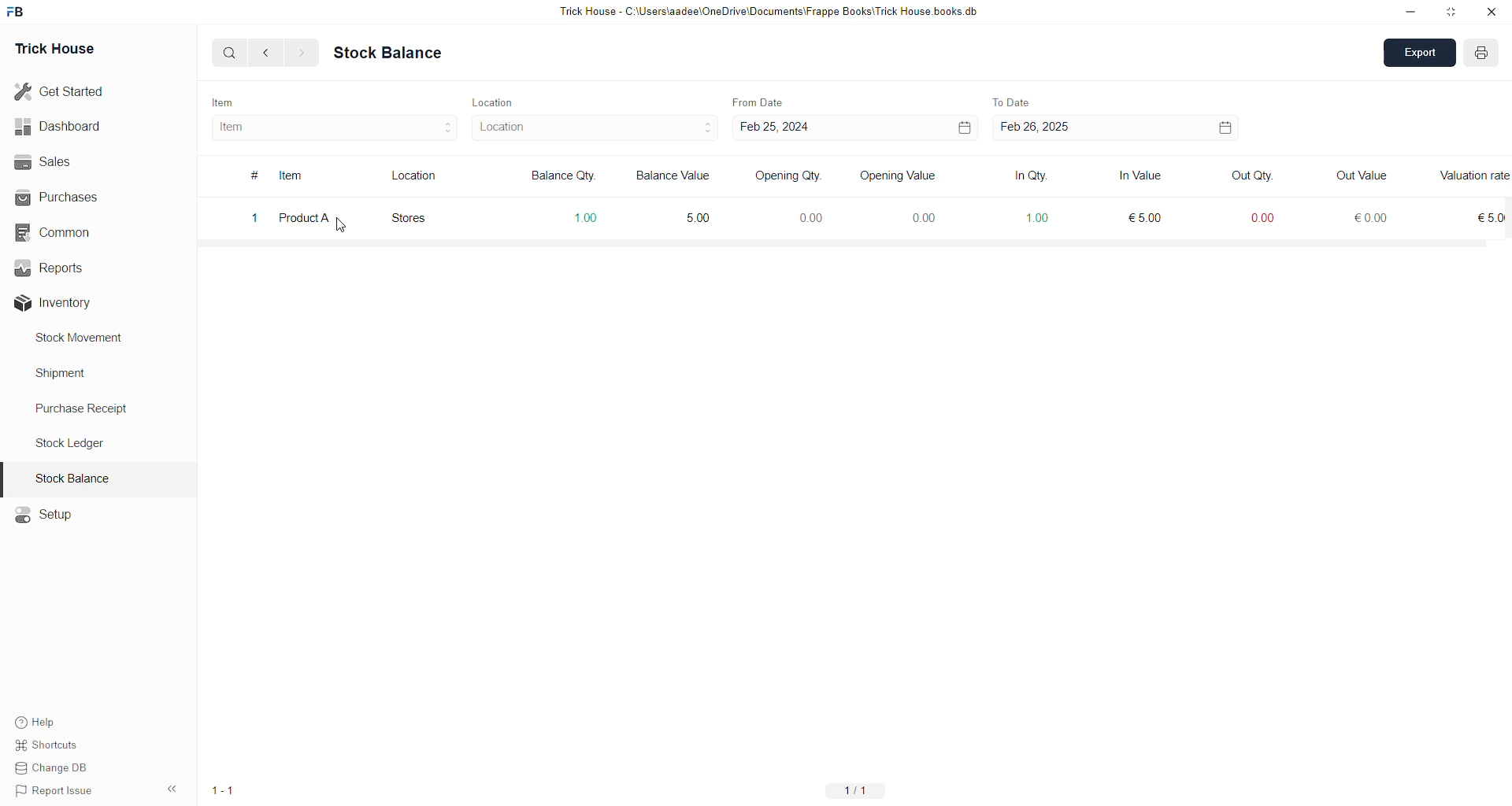 The image size is (1512, 806). Describe the element at coordinates (229, 54) in the screenshot. I see `Search` at that location.